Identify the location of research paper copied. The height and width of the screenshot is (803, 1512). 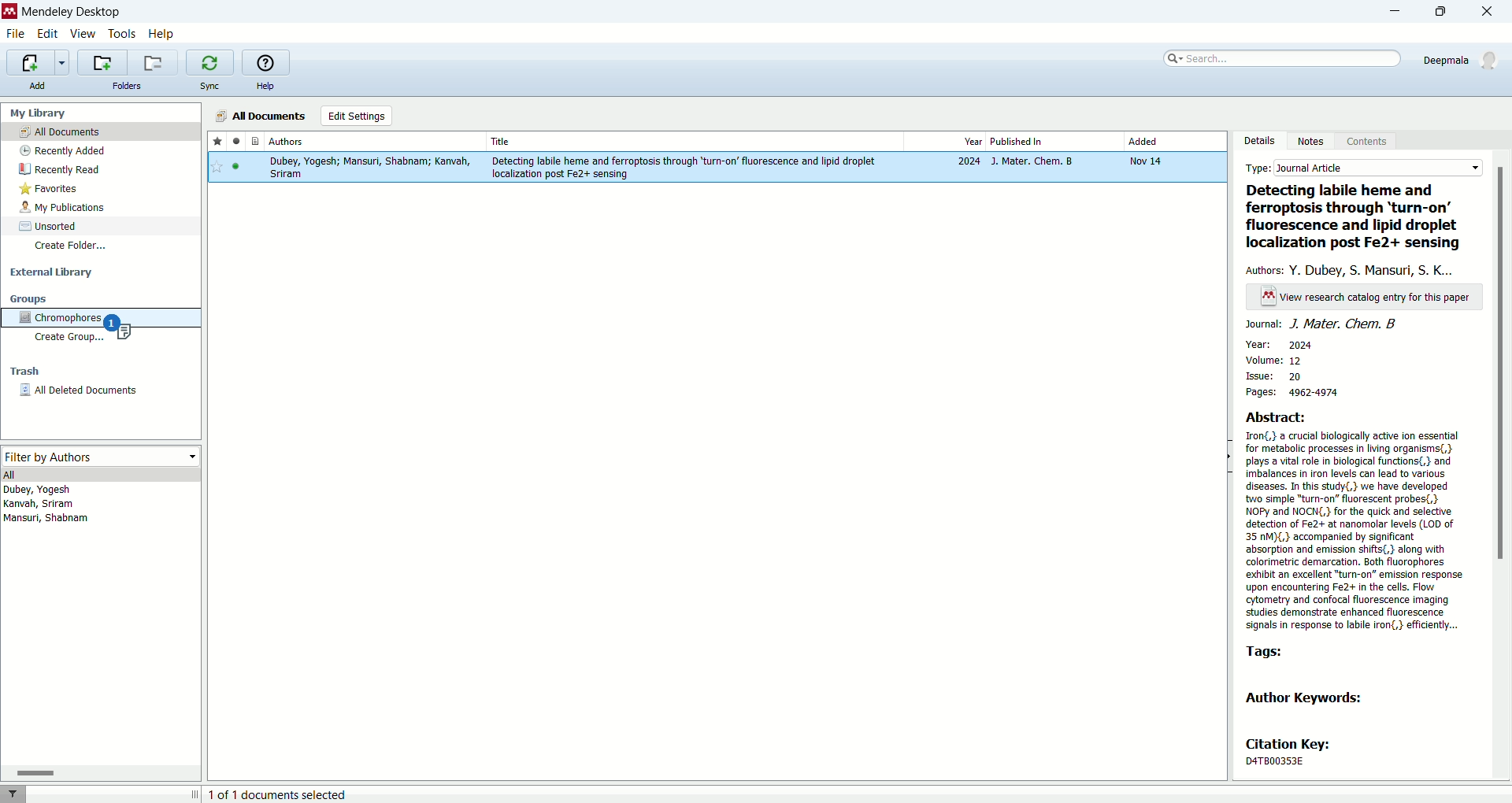
(128, 329).